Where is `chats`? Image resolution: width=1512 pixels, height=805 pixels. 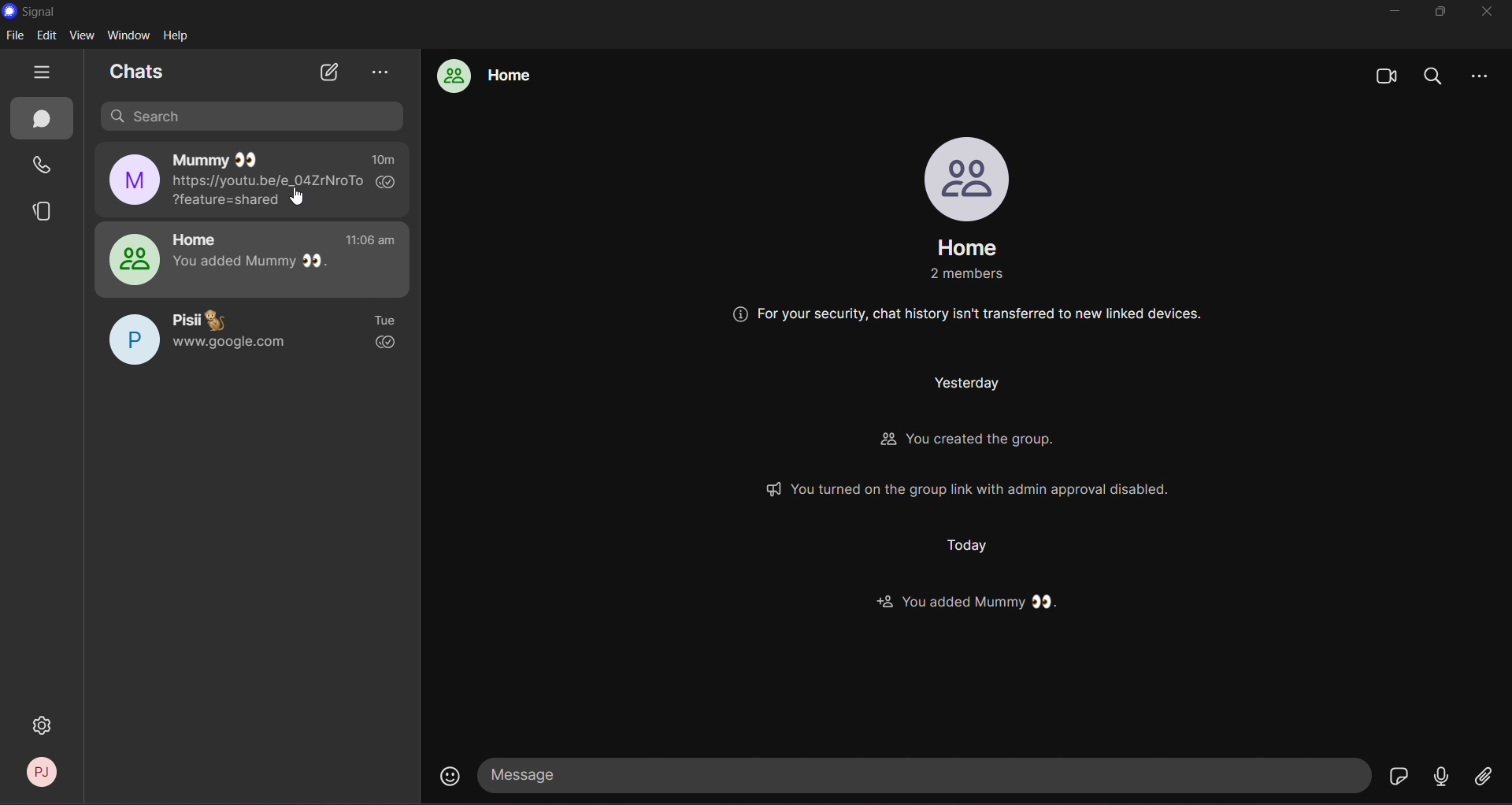 chats is located at coordinates (135, 72).